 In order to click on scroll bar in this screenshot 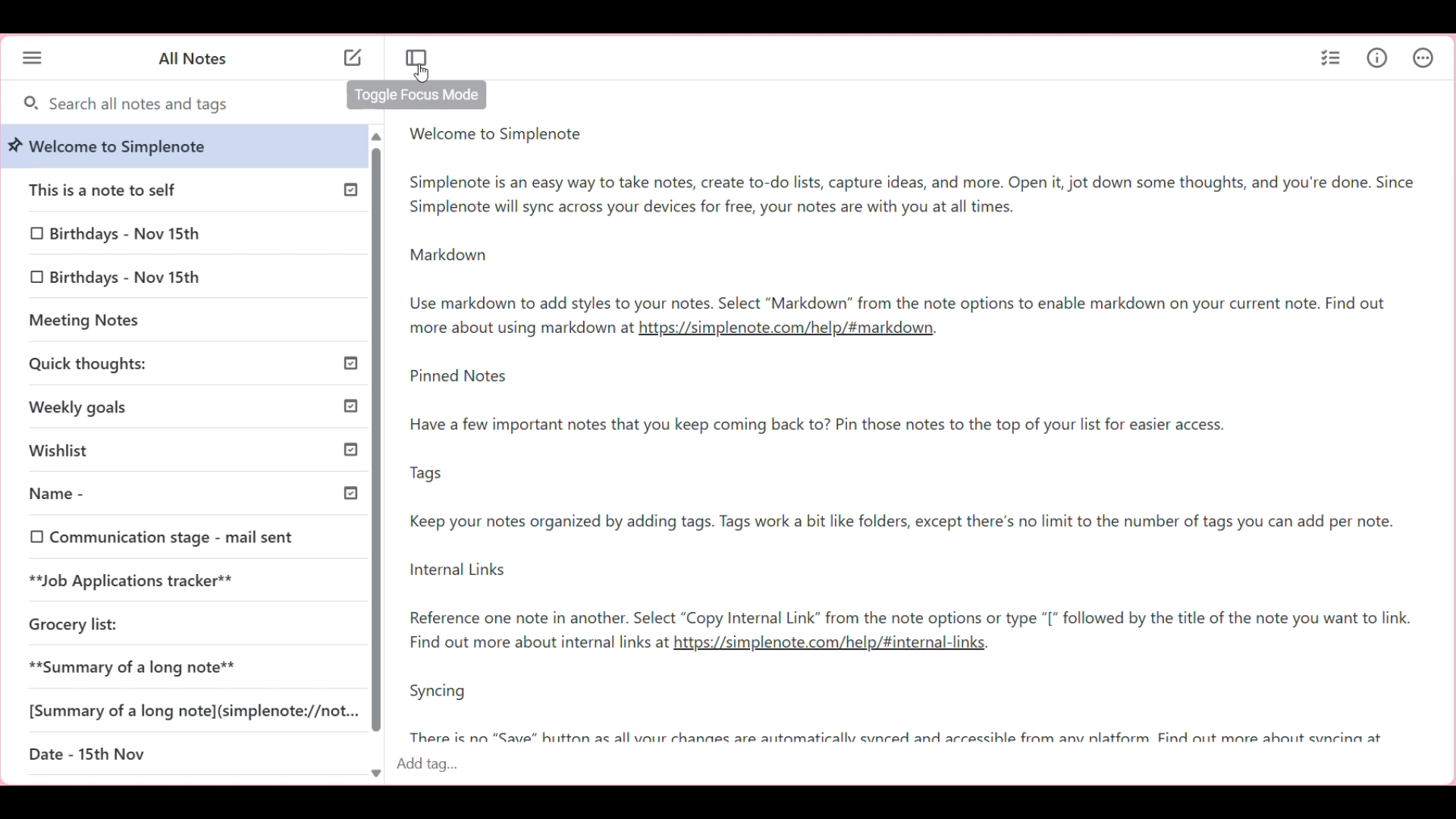, I will do `click(377, 445)`.